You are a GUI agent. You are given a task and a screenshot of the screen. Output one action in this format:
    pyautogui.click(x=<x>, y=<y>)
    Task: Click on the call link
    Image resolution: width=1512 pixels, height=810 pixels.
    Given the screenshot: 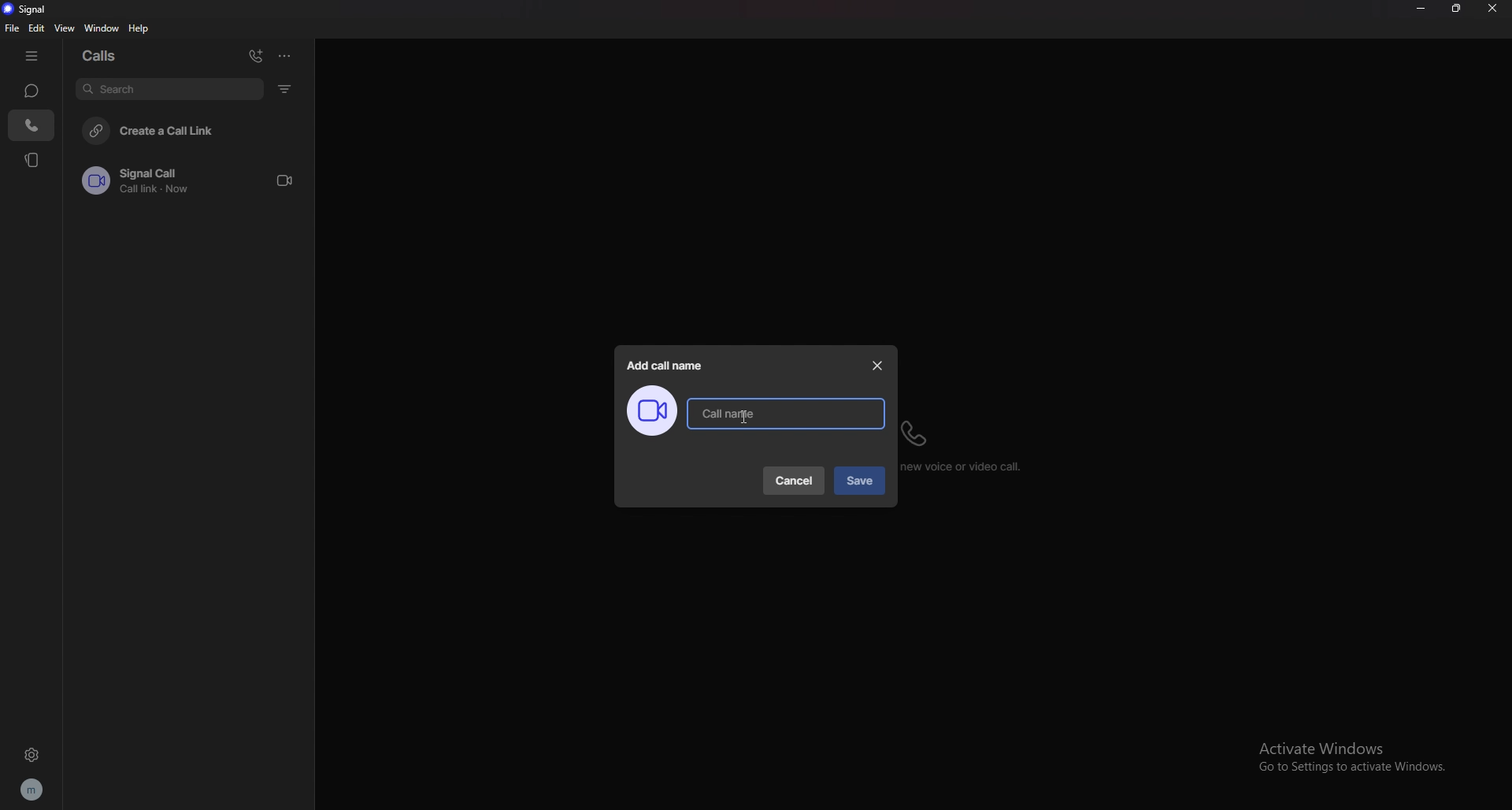 What is the action you would take?
    pyautogui.click(x=195, y=180)
    